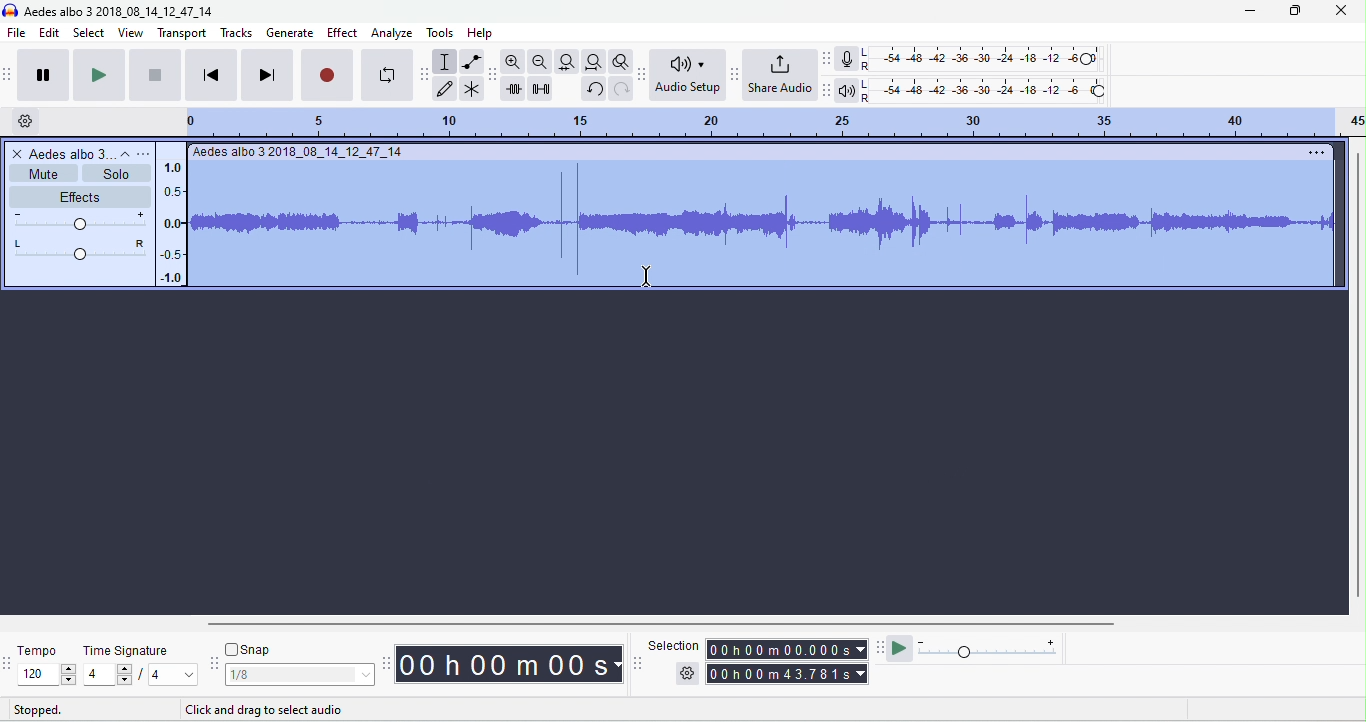 This screenshot has height=722, width=1366. I want to click on redo, so click(622, 89).